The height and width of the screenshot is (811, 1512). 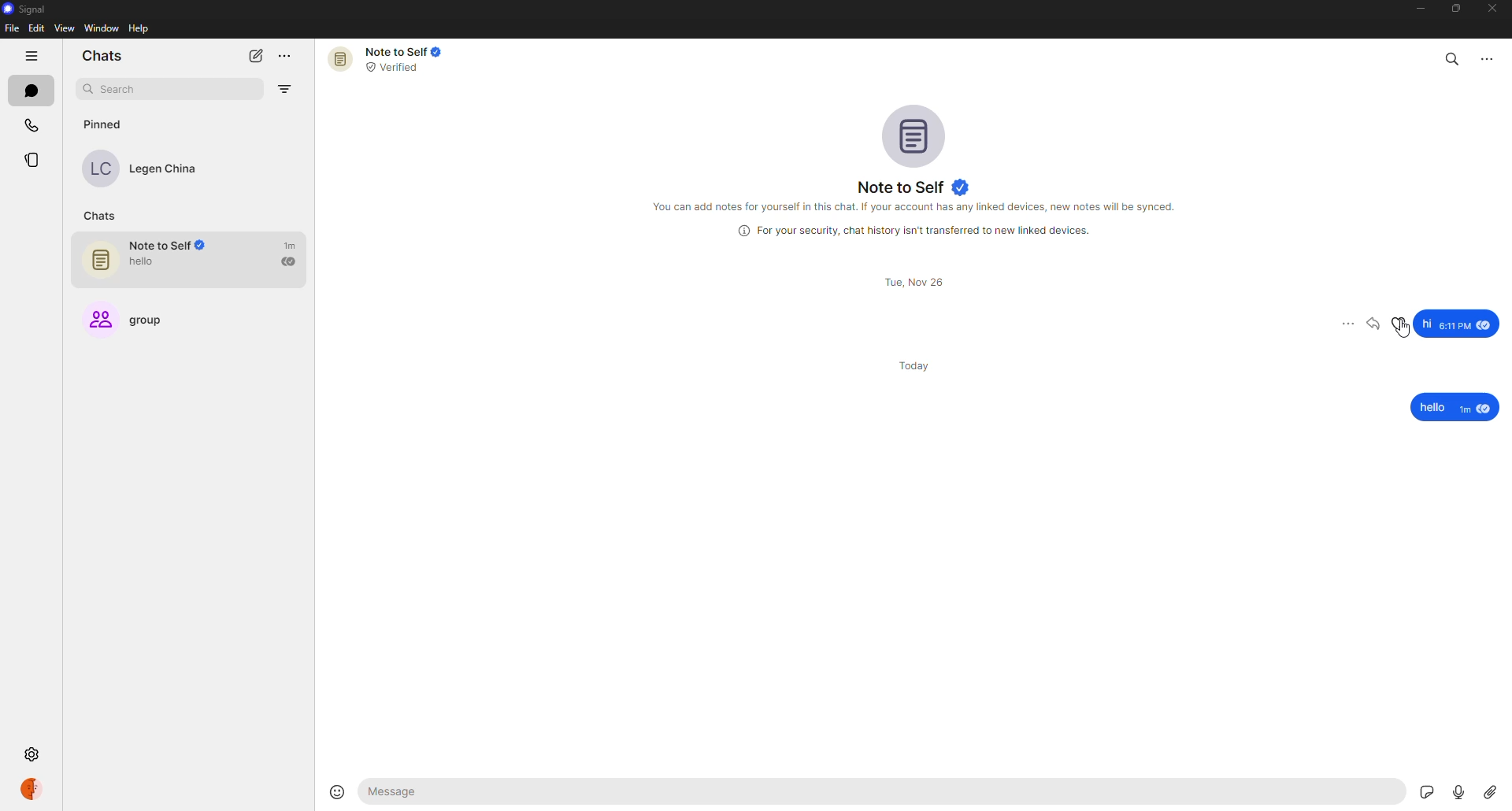 I want to click on pinned, so click(x=102, y=124).